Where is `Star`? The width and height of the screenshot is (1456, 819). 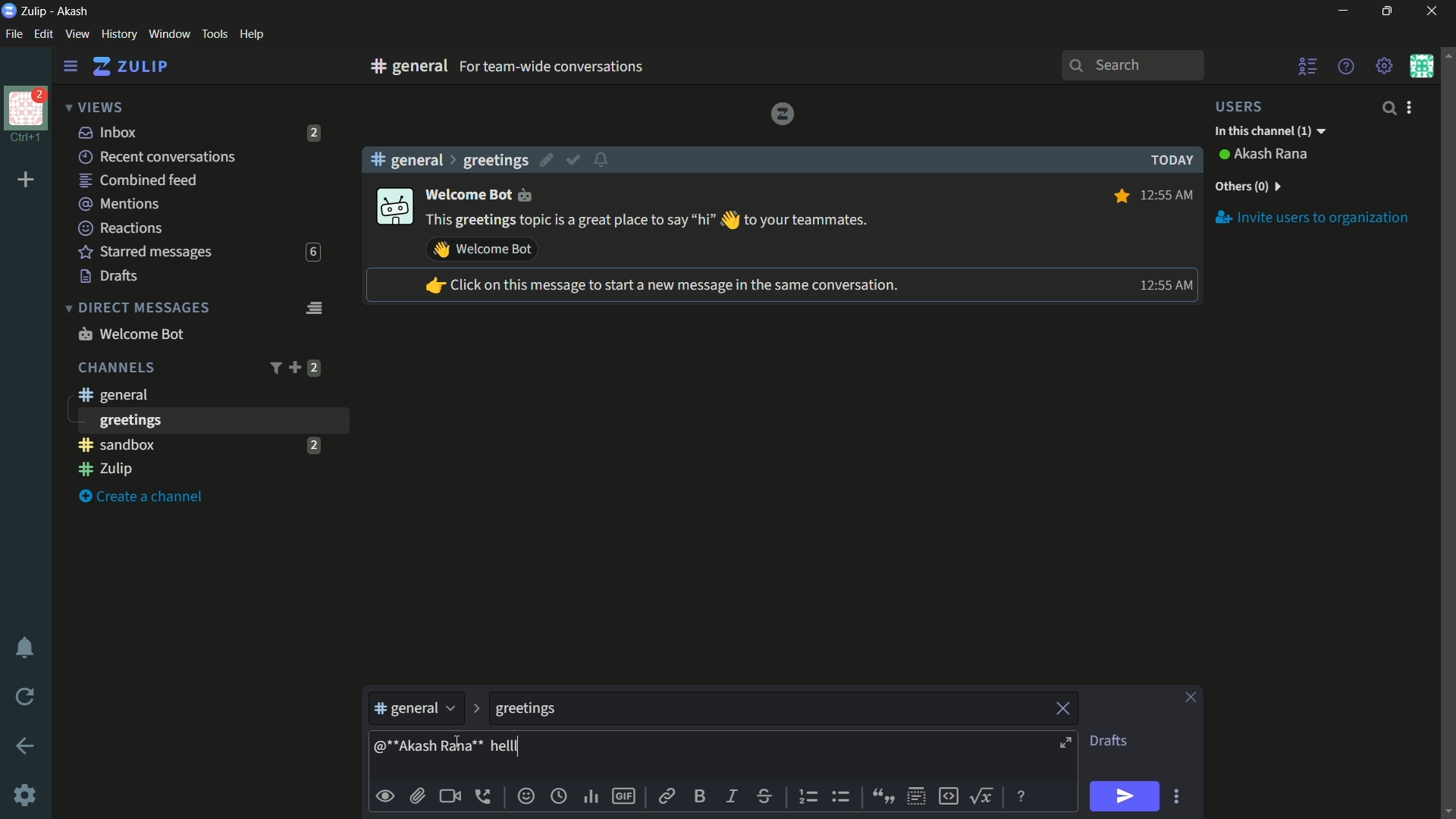 Star is located at coordinates (1119, 196).